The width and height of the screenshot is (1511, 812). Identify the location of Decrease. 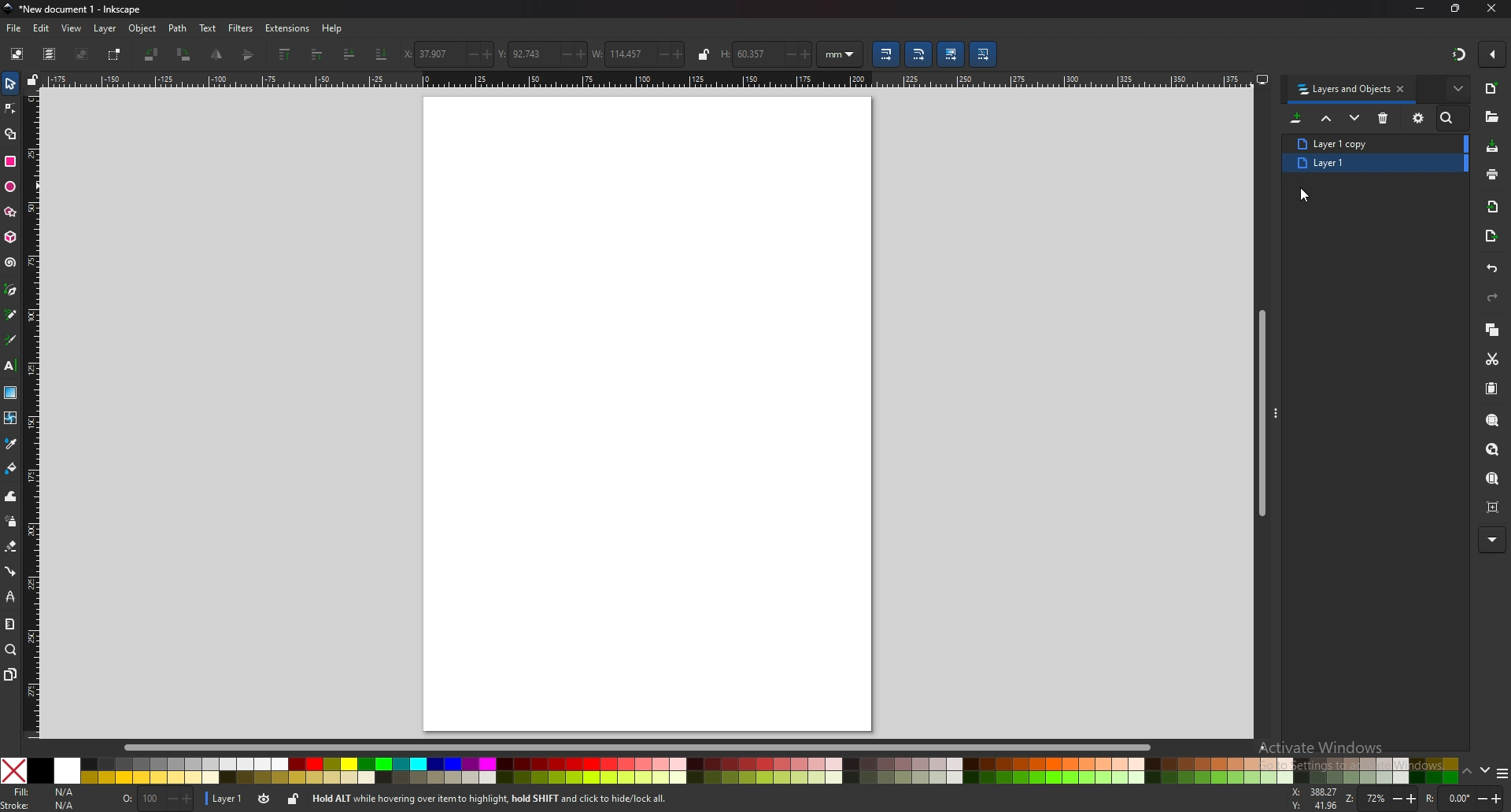
(787, 54).